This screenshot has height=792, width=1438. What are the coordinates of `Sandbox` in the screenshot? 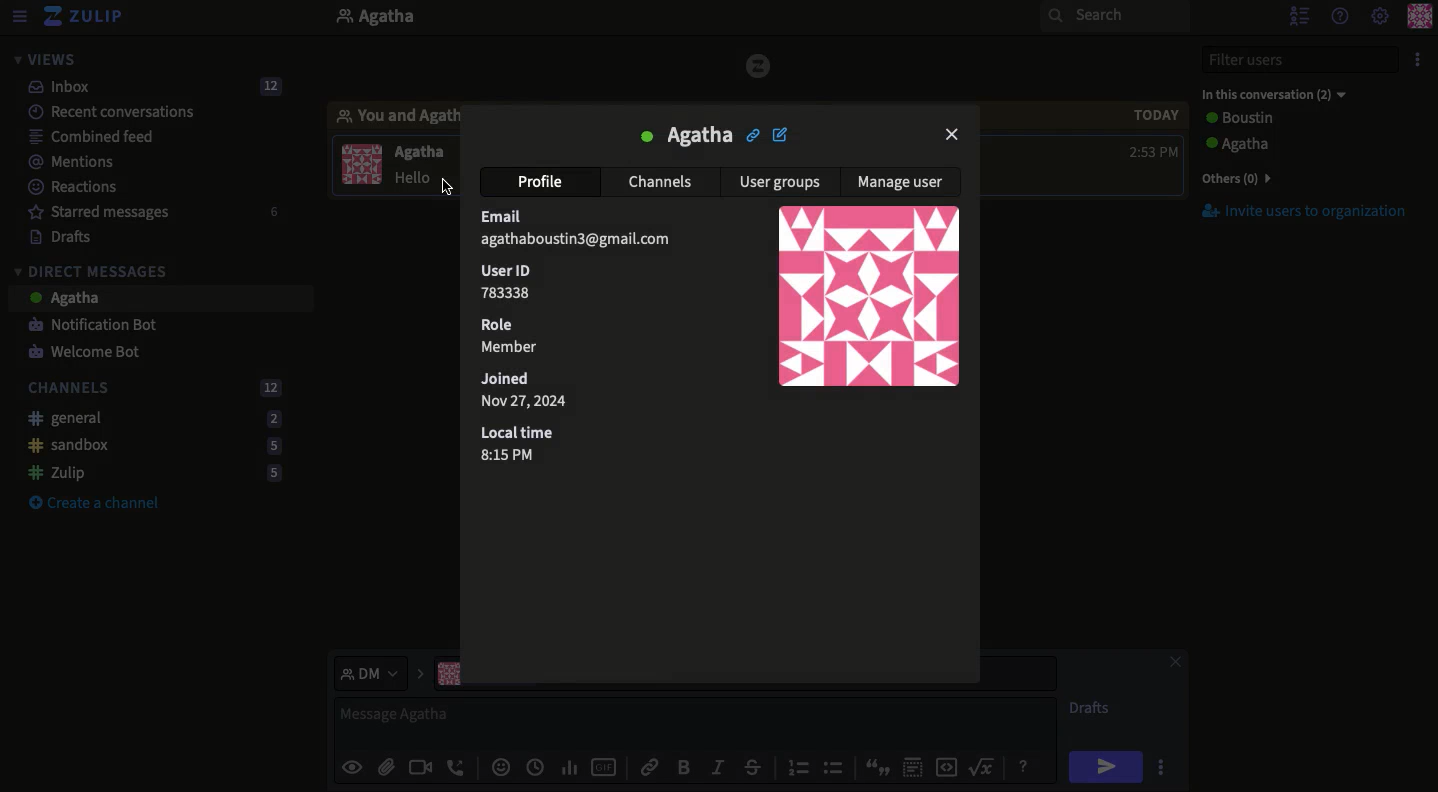 It's located at (159, 446).